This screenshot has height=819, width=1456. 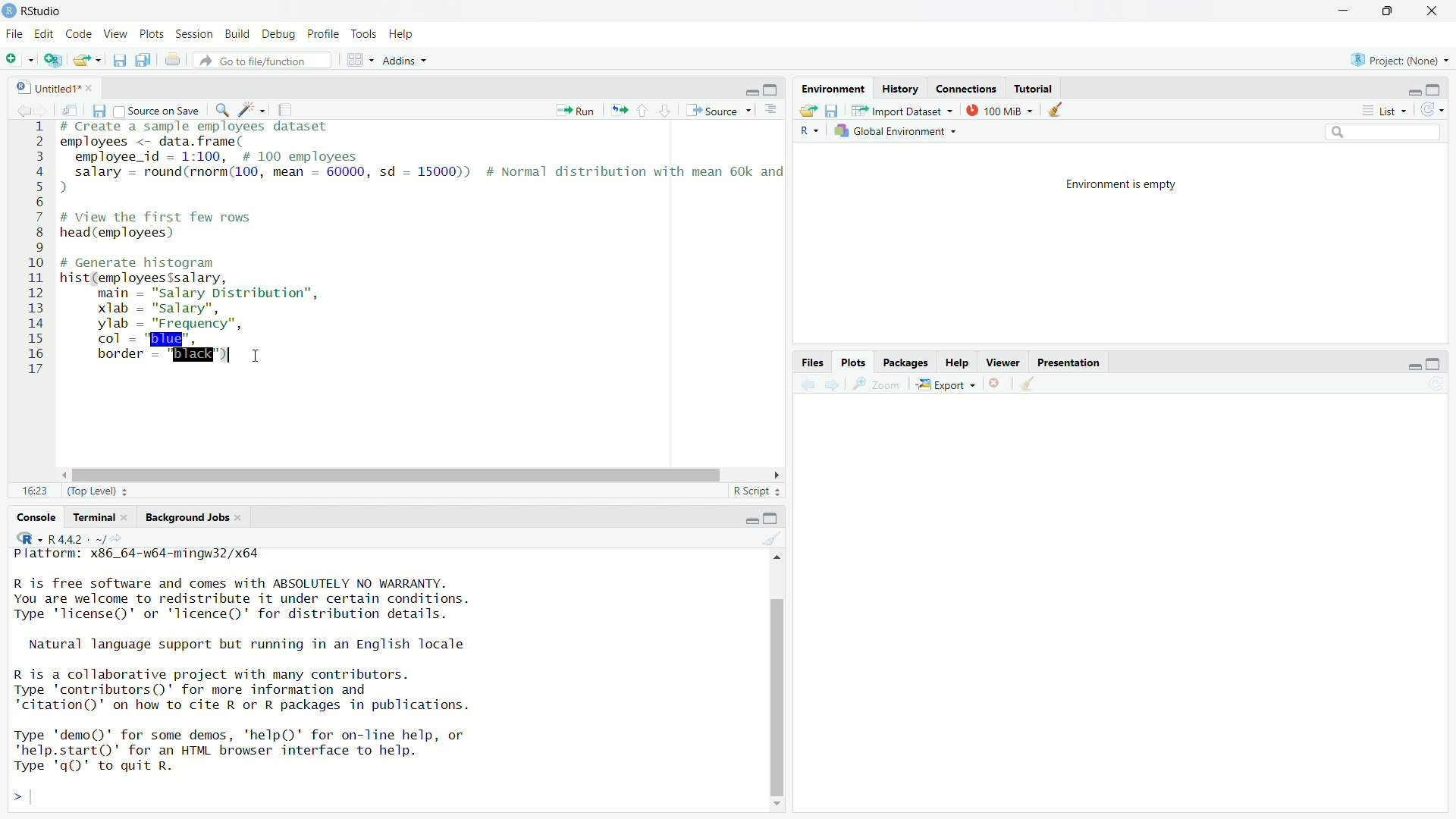 What do you see at coordinates (53, 60) in the screenshot?
I see `add file` at bounding box center [53, 60].